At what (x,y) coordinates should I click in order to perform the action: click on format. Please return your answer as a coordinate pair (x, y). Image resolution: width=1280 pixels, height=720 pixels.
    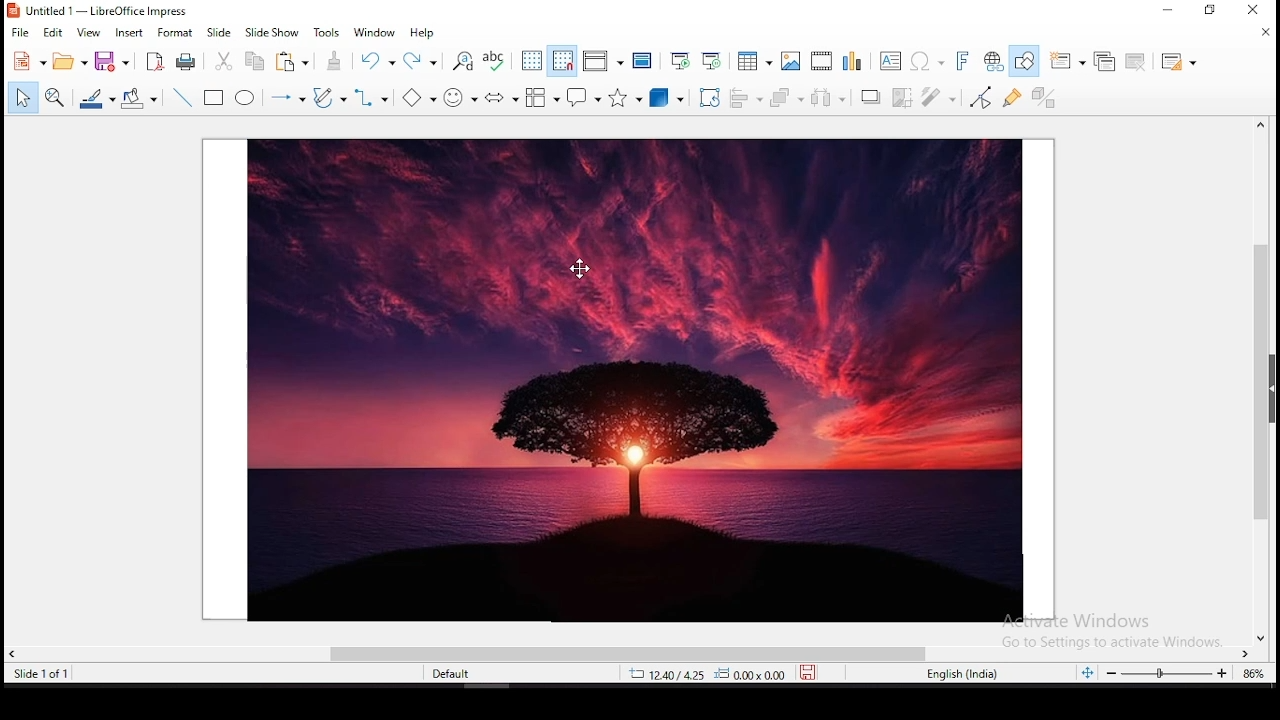
    Looking at the image, I should click on (176, 34).